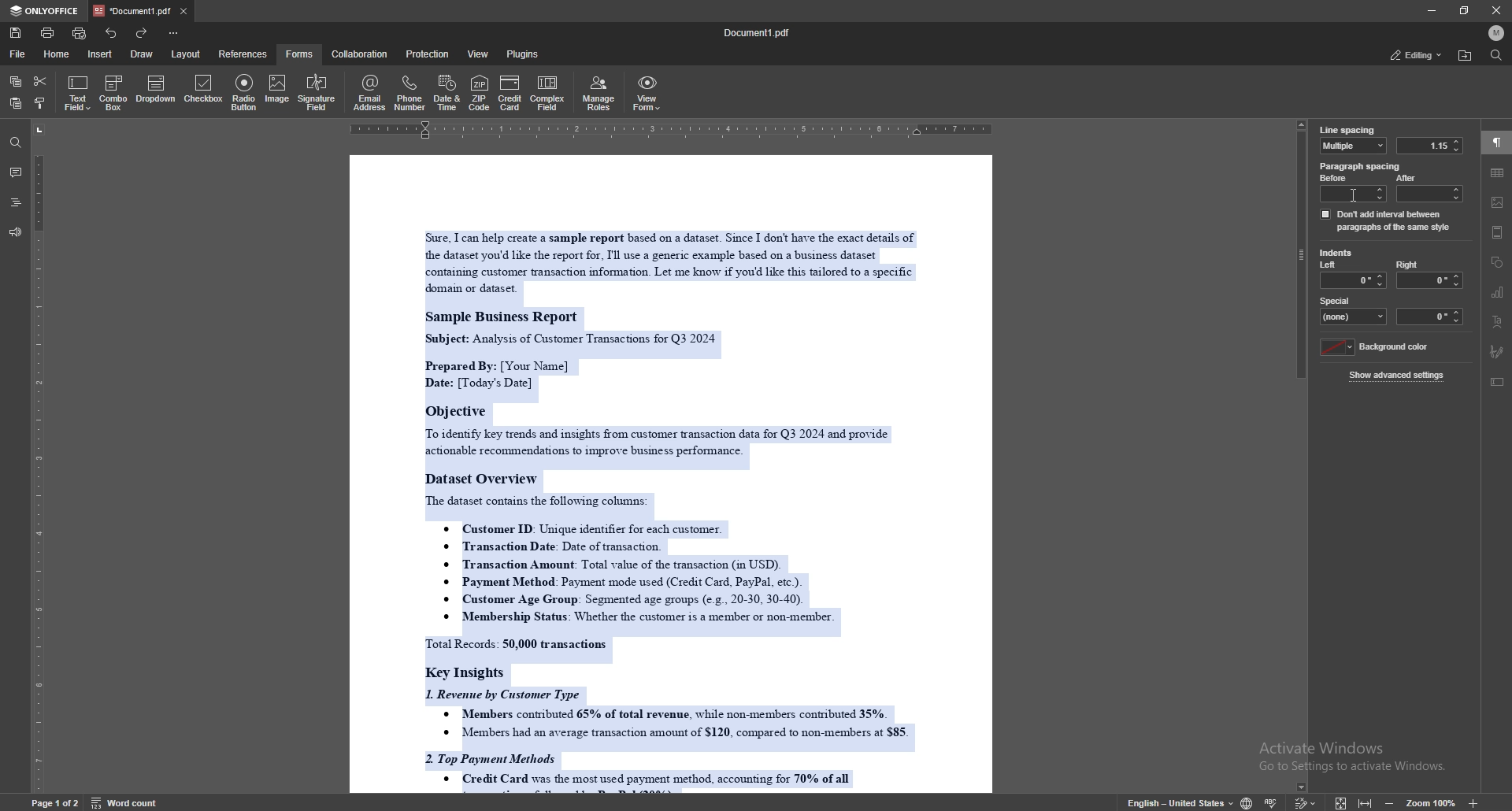  I want to click on images, so click(1498, 202).